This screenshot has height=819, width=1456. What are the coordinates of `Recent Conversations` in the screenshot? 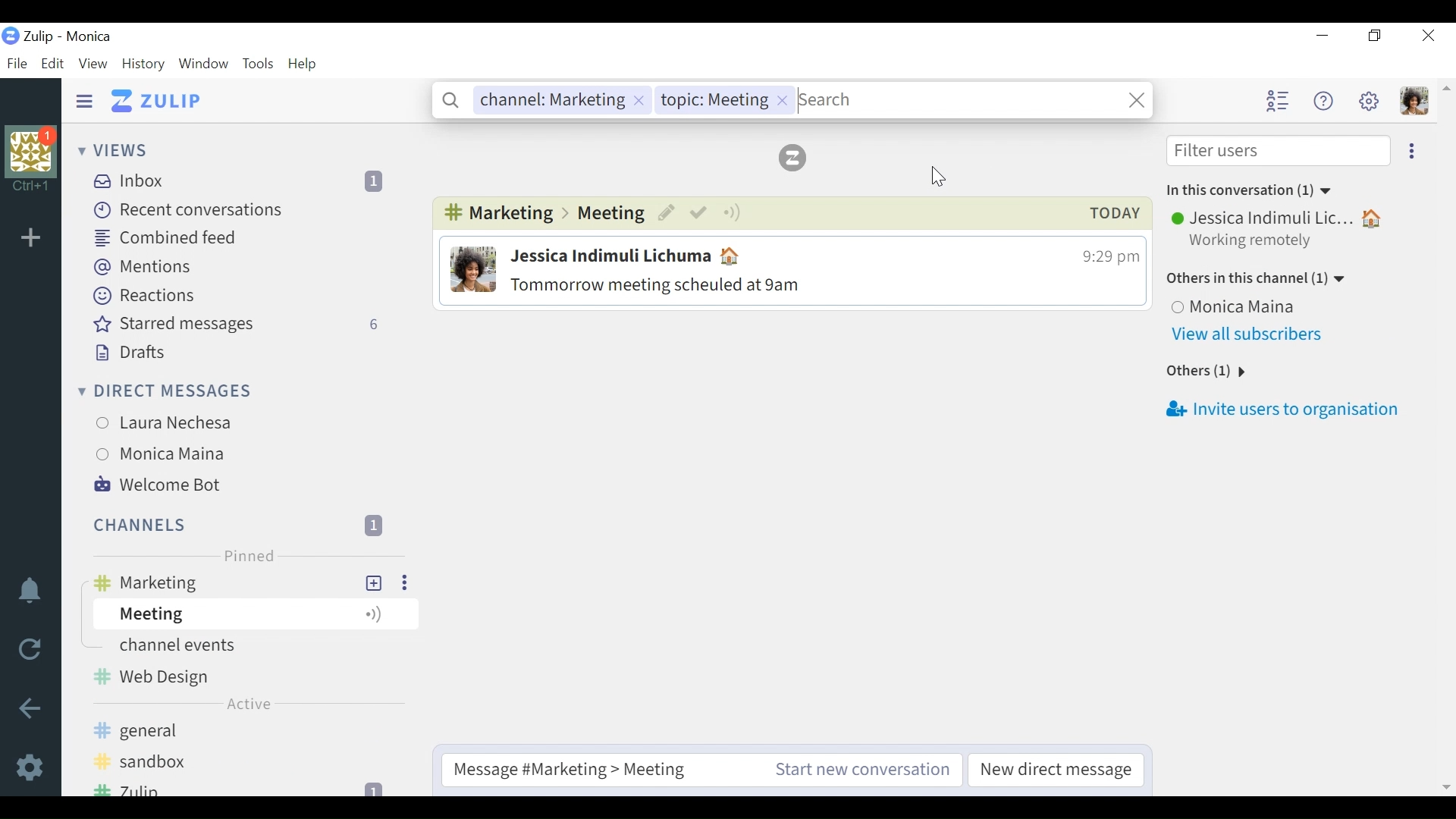 It's located at (192, 211).